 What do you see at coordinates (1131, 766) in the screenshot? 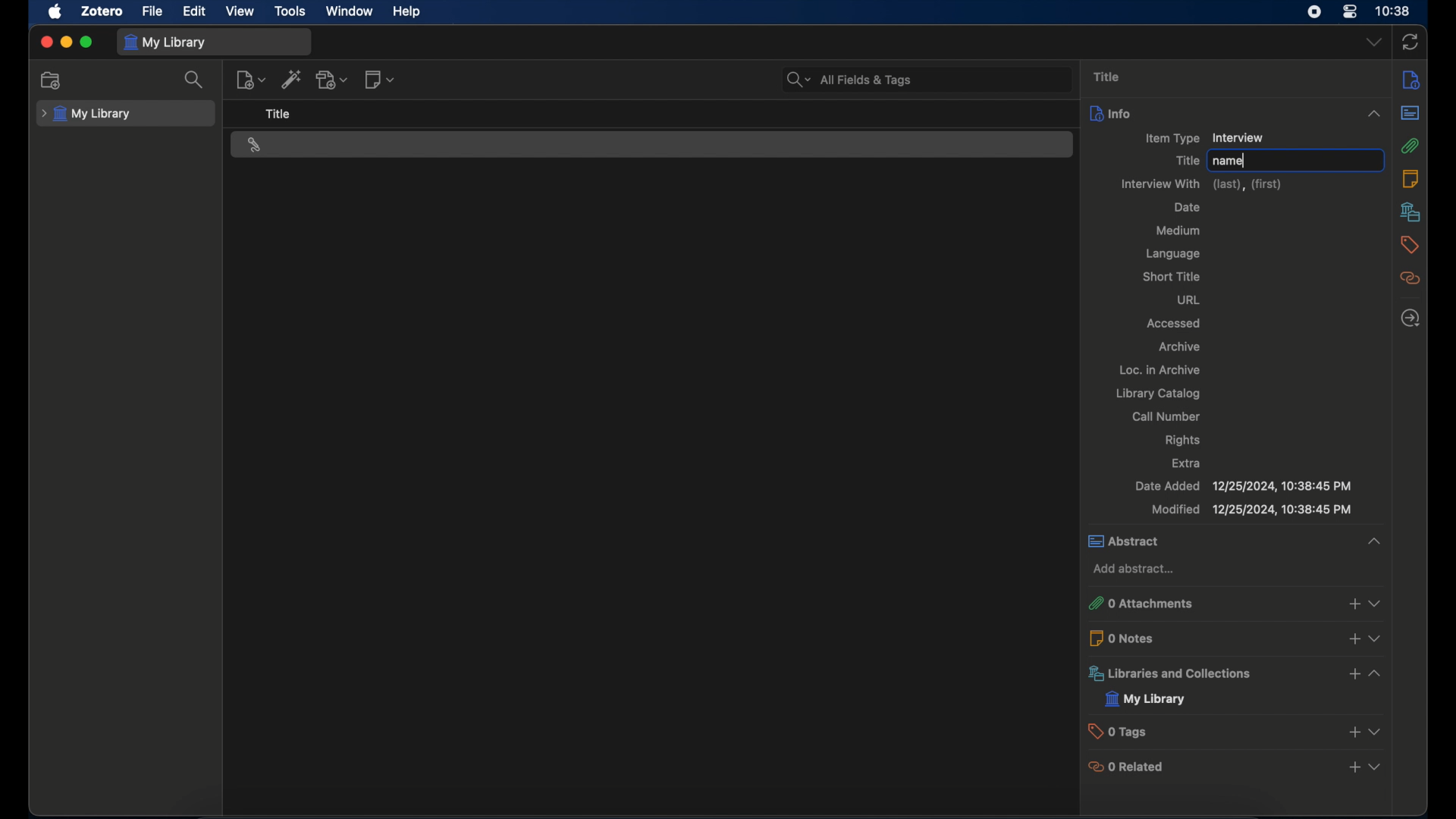
I see `0 related` at bounding box center [1131, 766].